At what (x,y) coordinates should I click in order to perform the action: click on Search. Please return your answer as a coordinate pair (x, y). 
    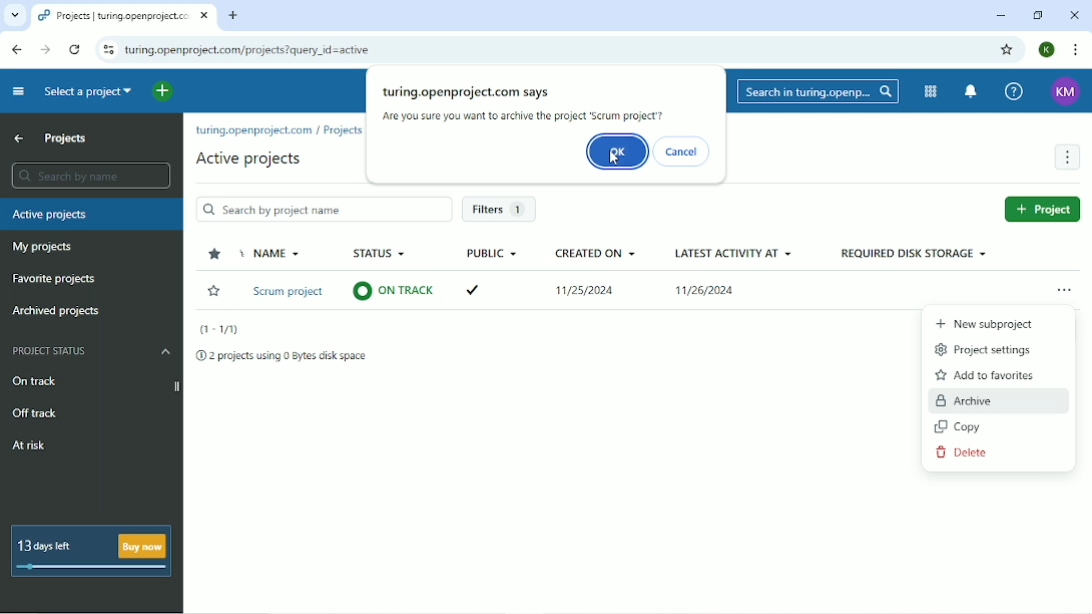
    Looking at the image, I should click on (816, 91).